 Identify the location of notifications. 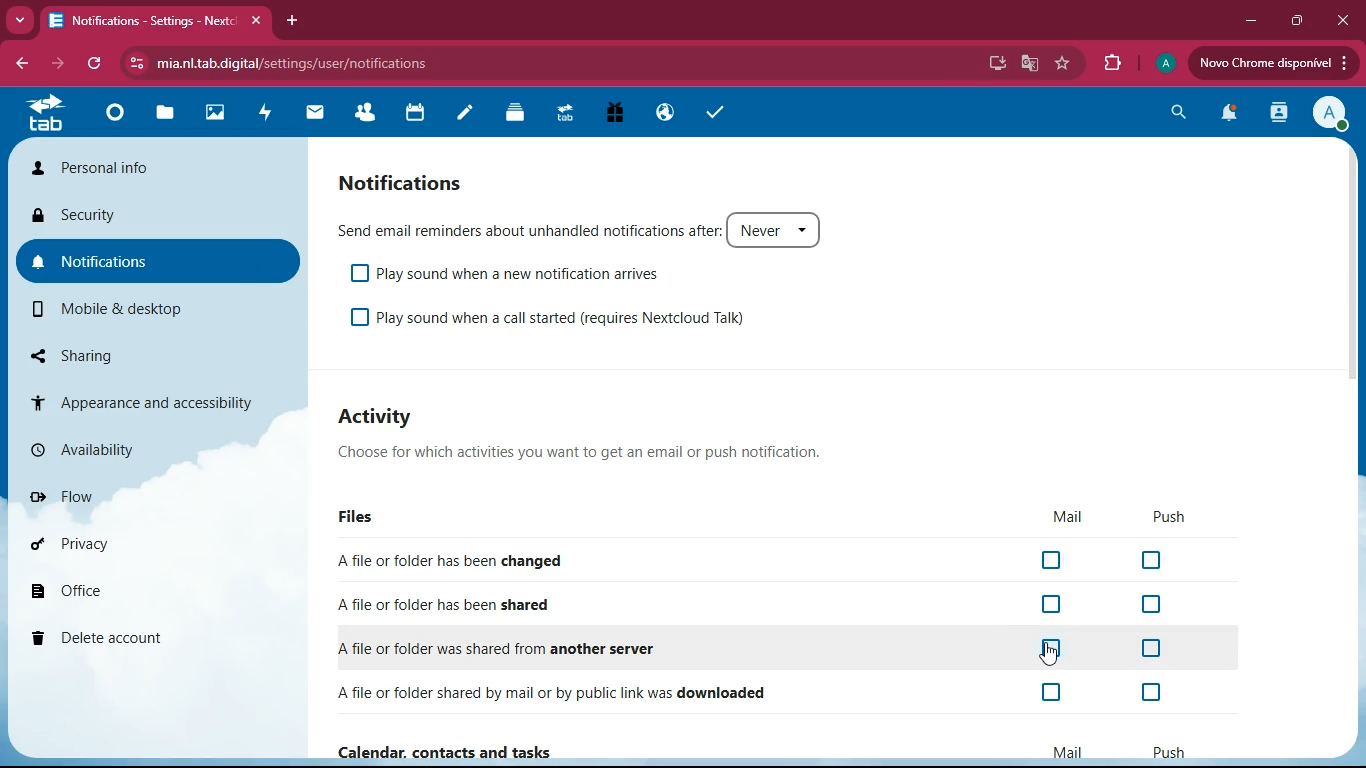
(1227, 114).